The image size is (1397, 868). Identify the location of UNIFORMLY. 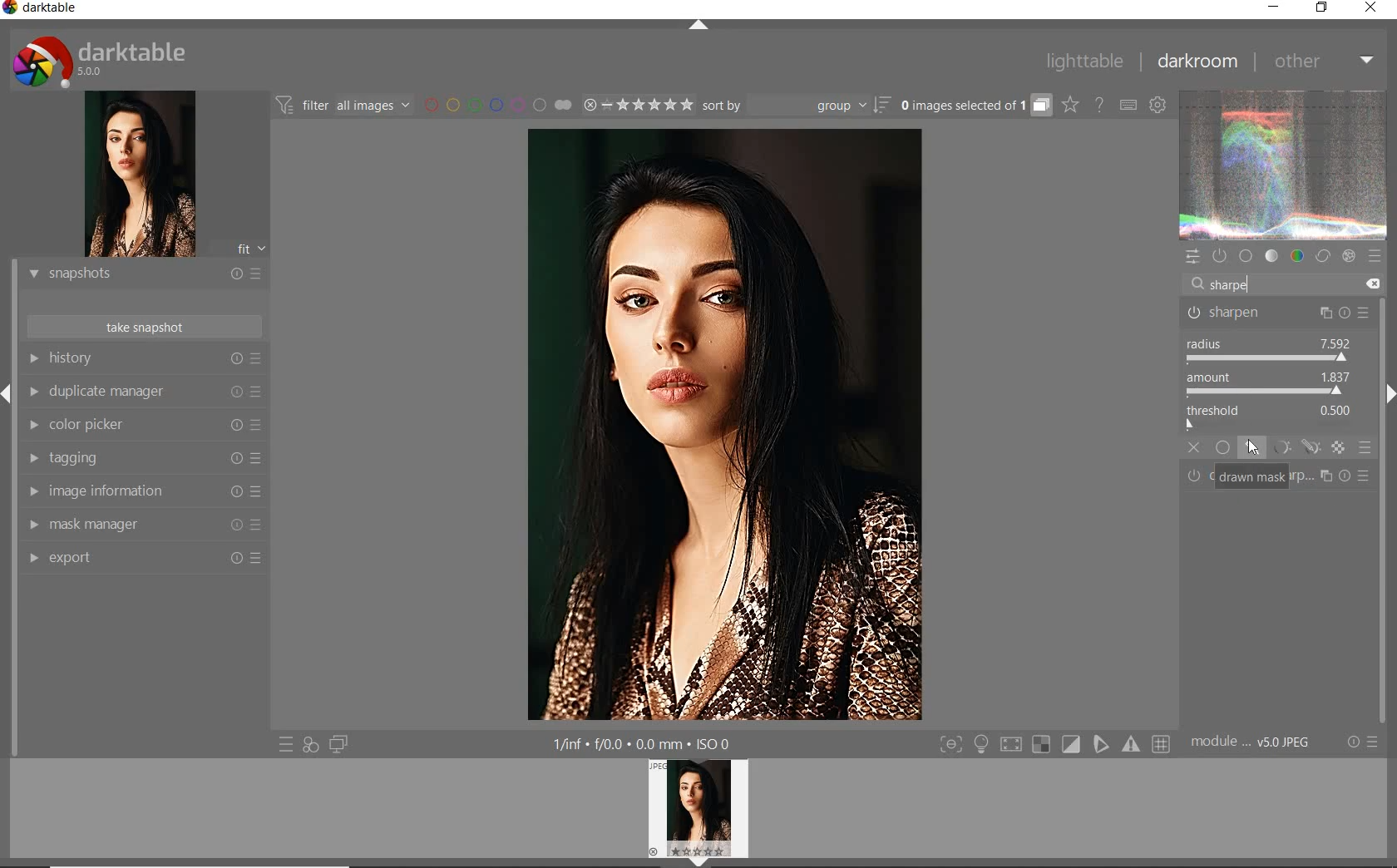
(1222, 448).